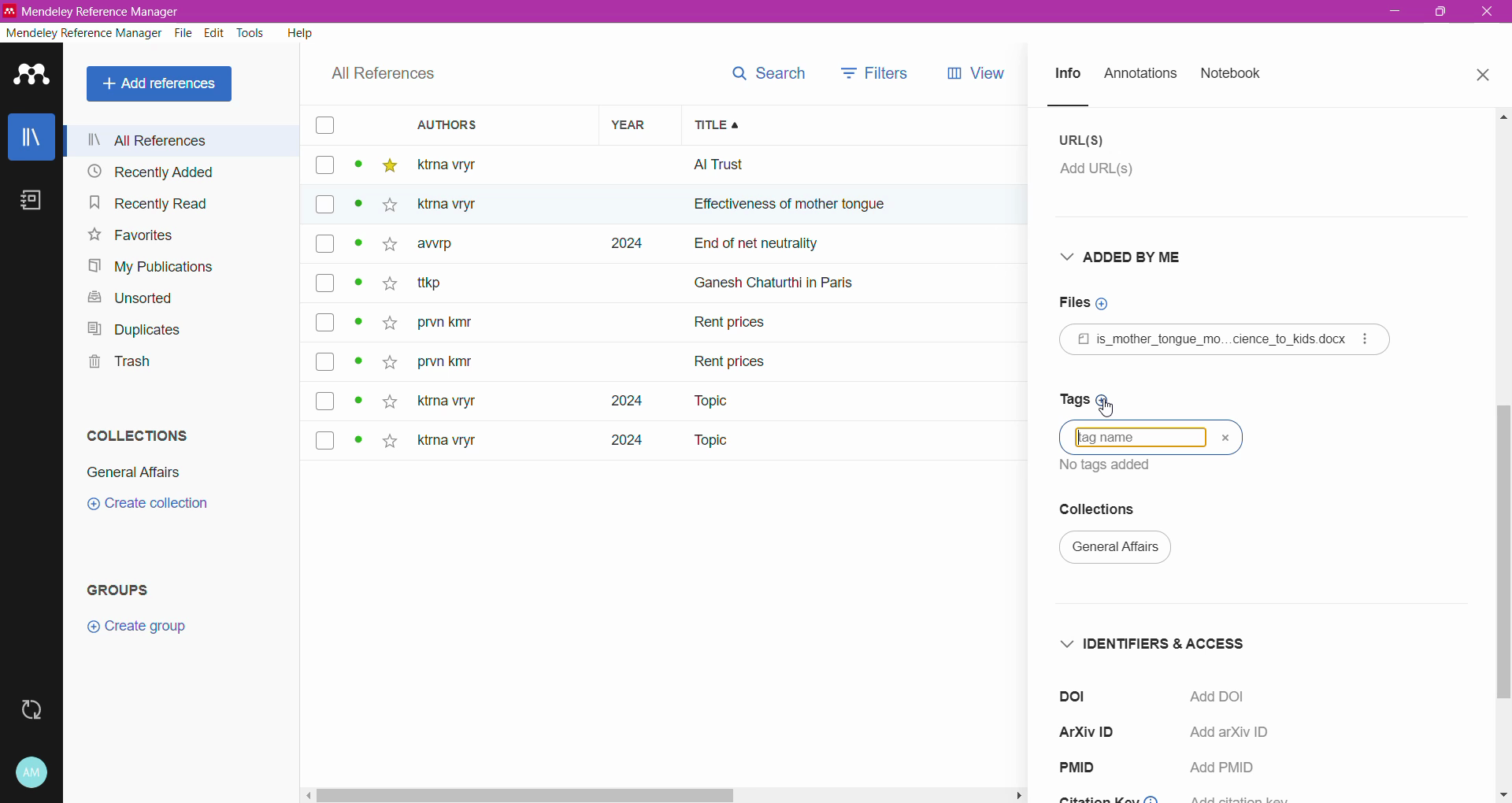  What do you see at coordinates (1485, 76) in the screenshot?
I see `Close Tab` at bounding box center [1485, 76].